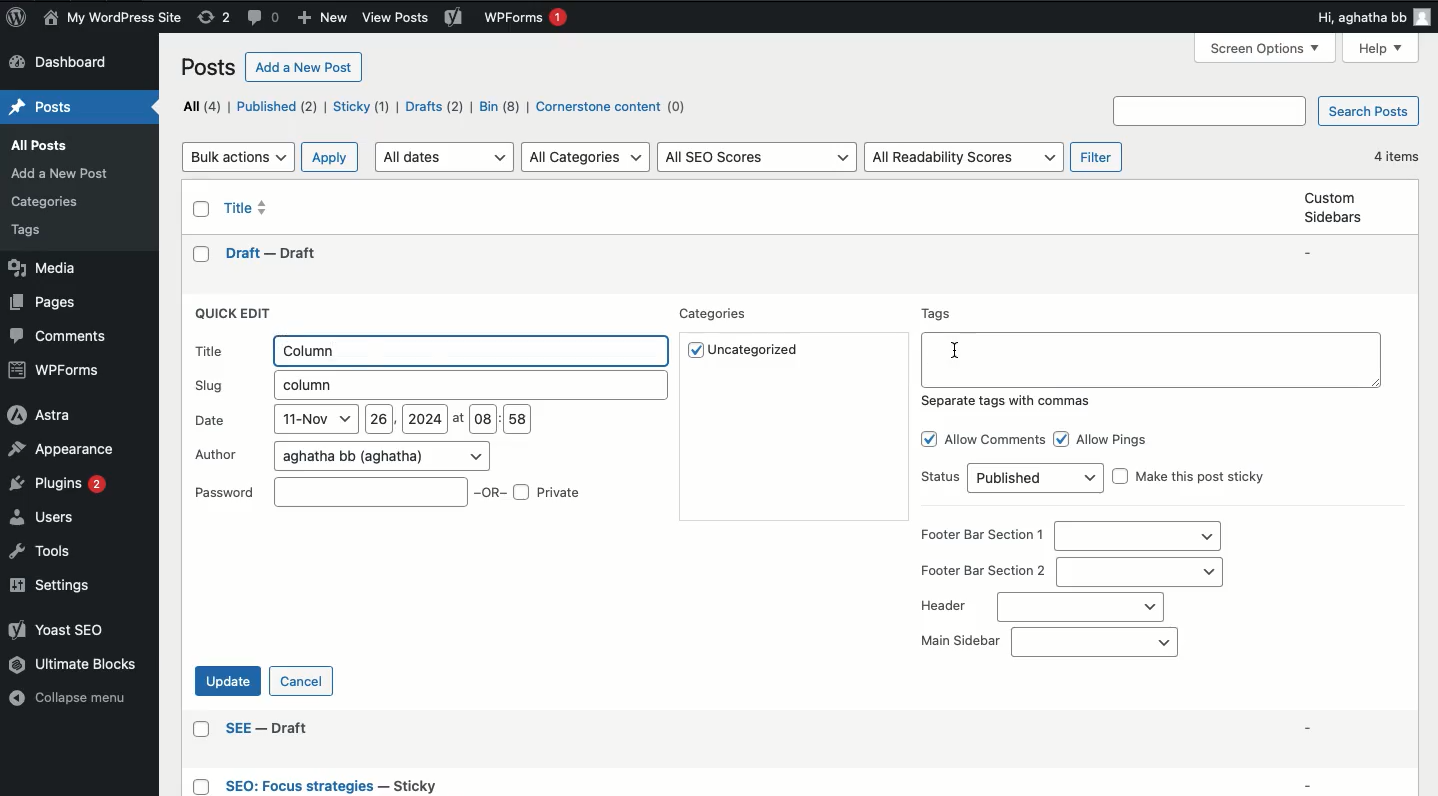 Image resolution: width=1438 pixels, height=796 pixels. Describe the element at coordinates (430, 350) in the screenshot. I see `Title` at that location.